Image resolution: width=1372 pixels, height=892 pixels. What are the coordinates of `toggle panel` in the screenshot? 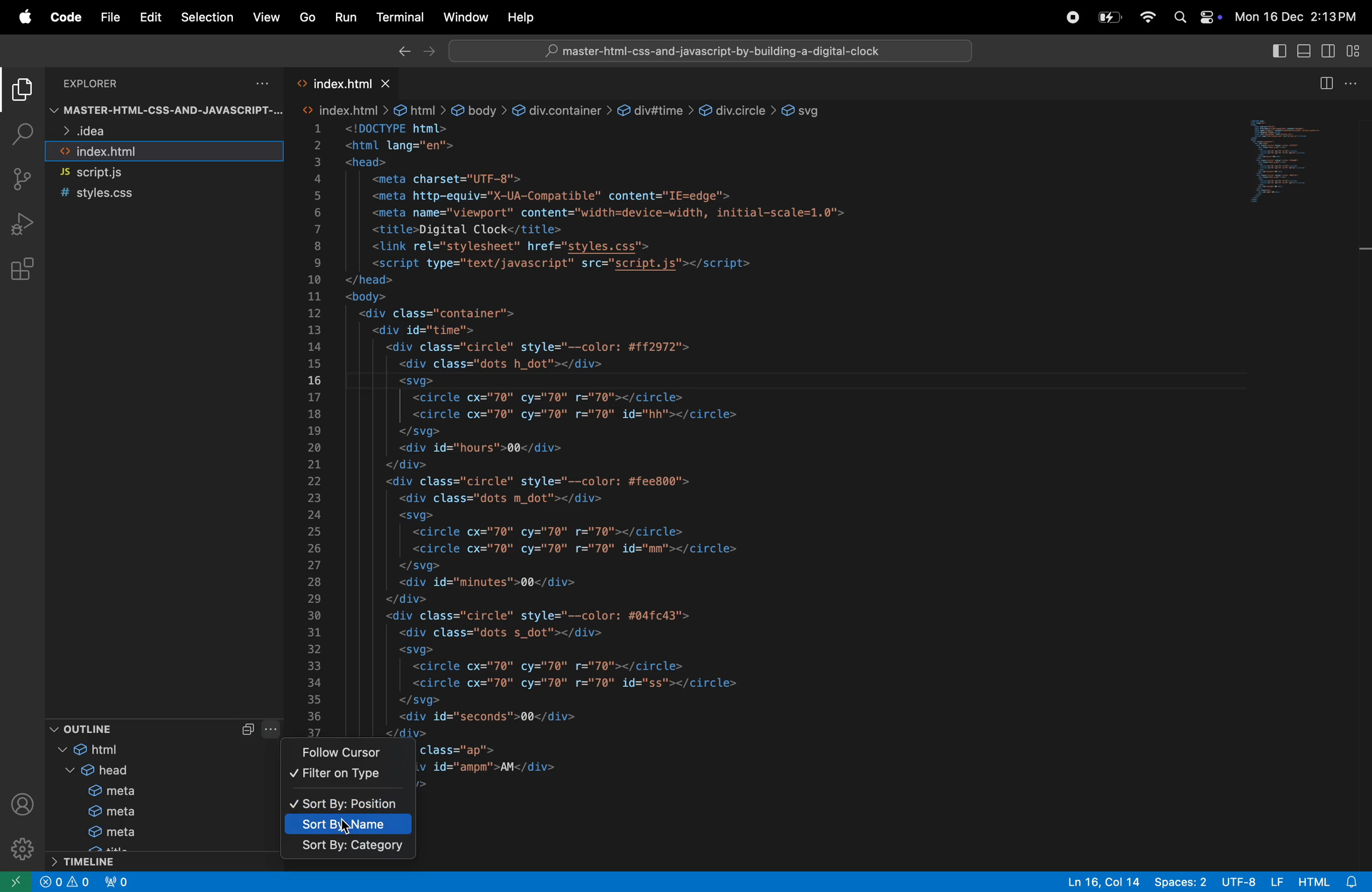 It's located at (1307, 50).